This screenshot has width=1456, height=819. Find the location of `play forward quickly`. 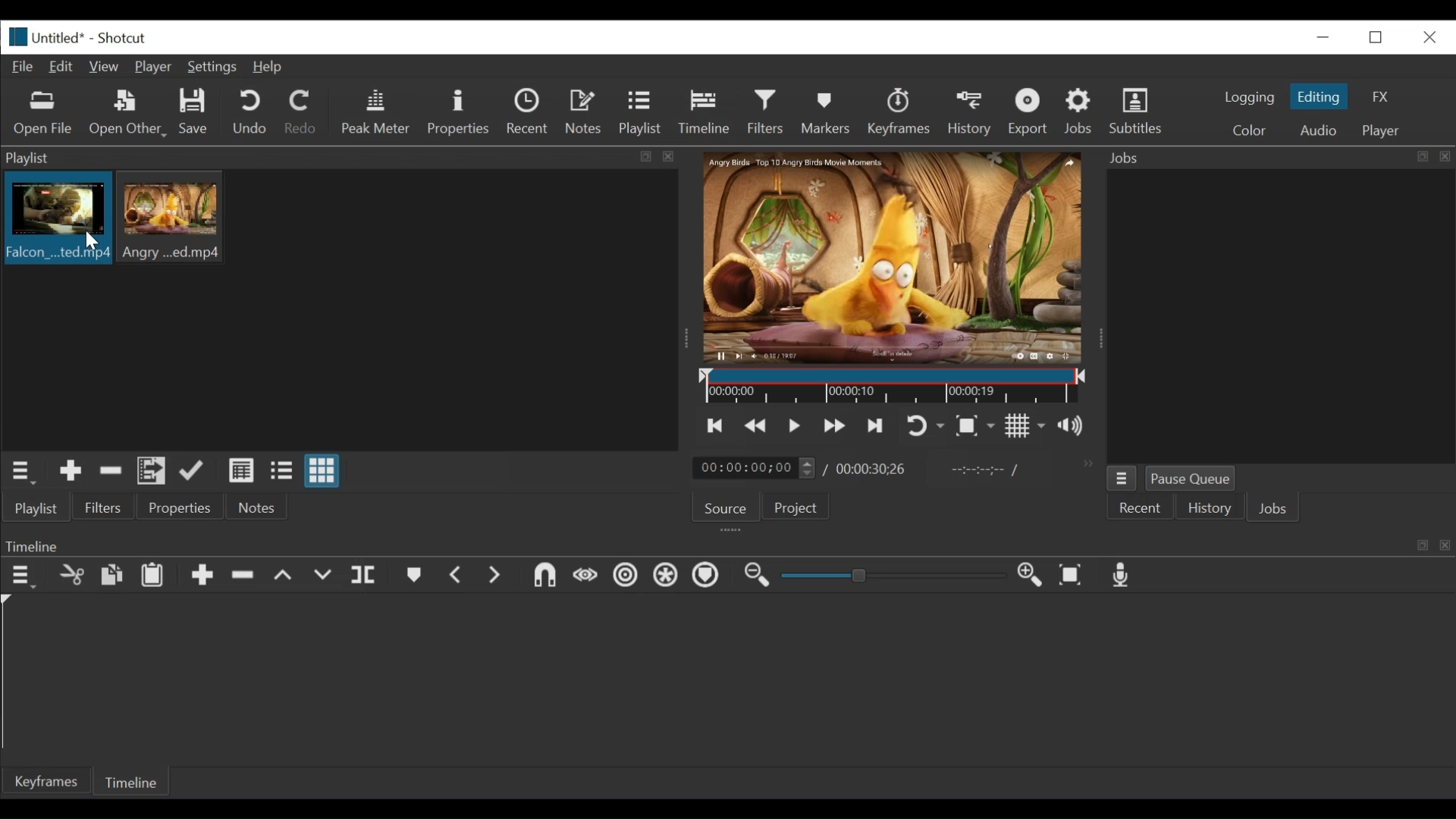

play forward quickly is located at coordinates (836, 428).